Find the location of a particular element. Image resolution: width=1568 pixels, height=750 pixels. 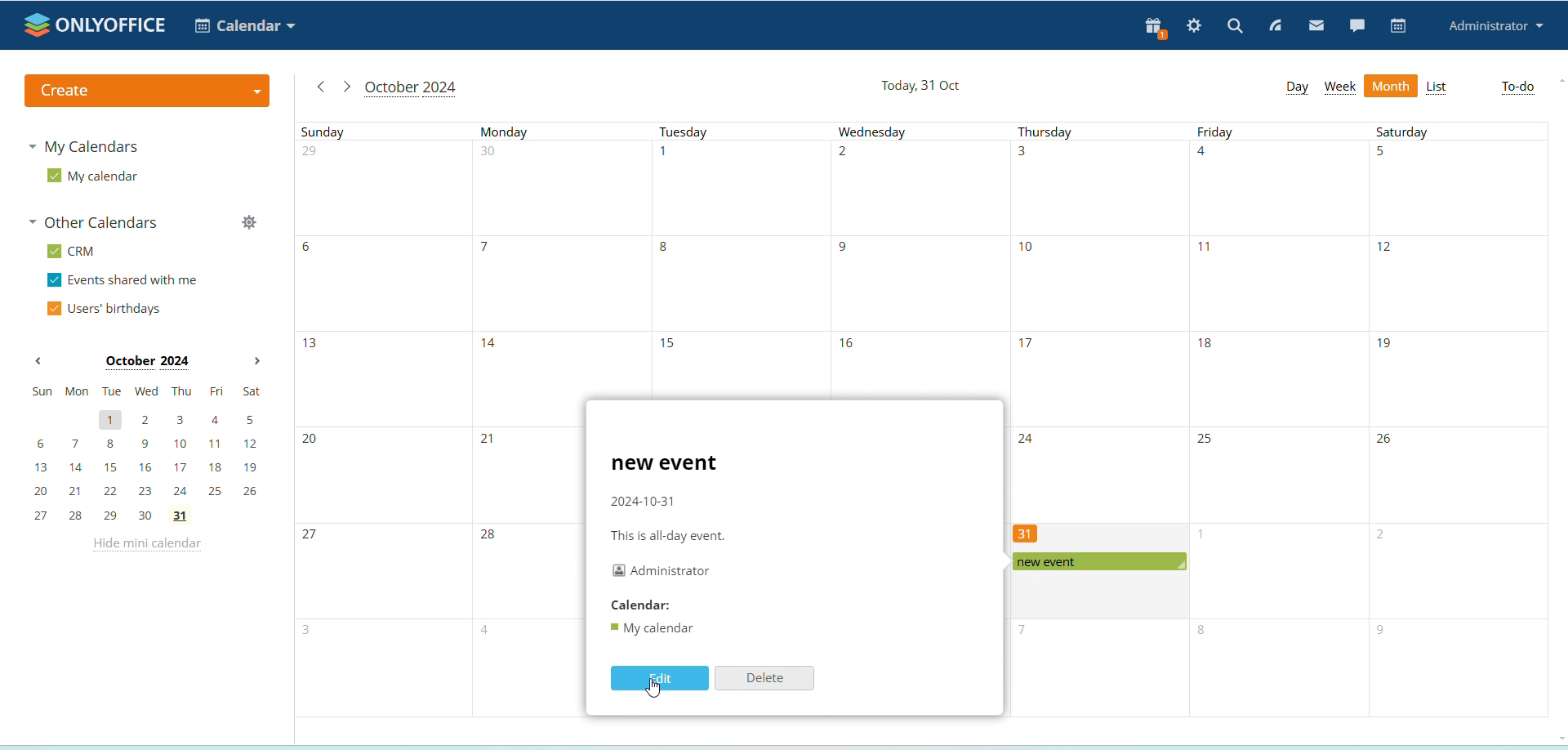

cursor is located at coordinates (655, 689).